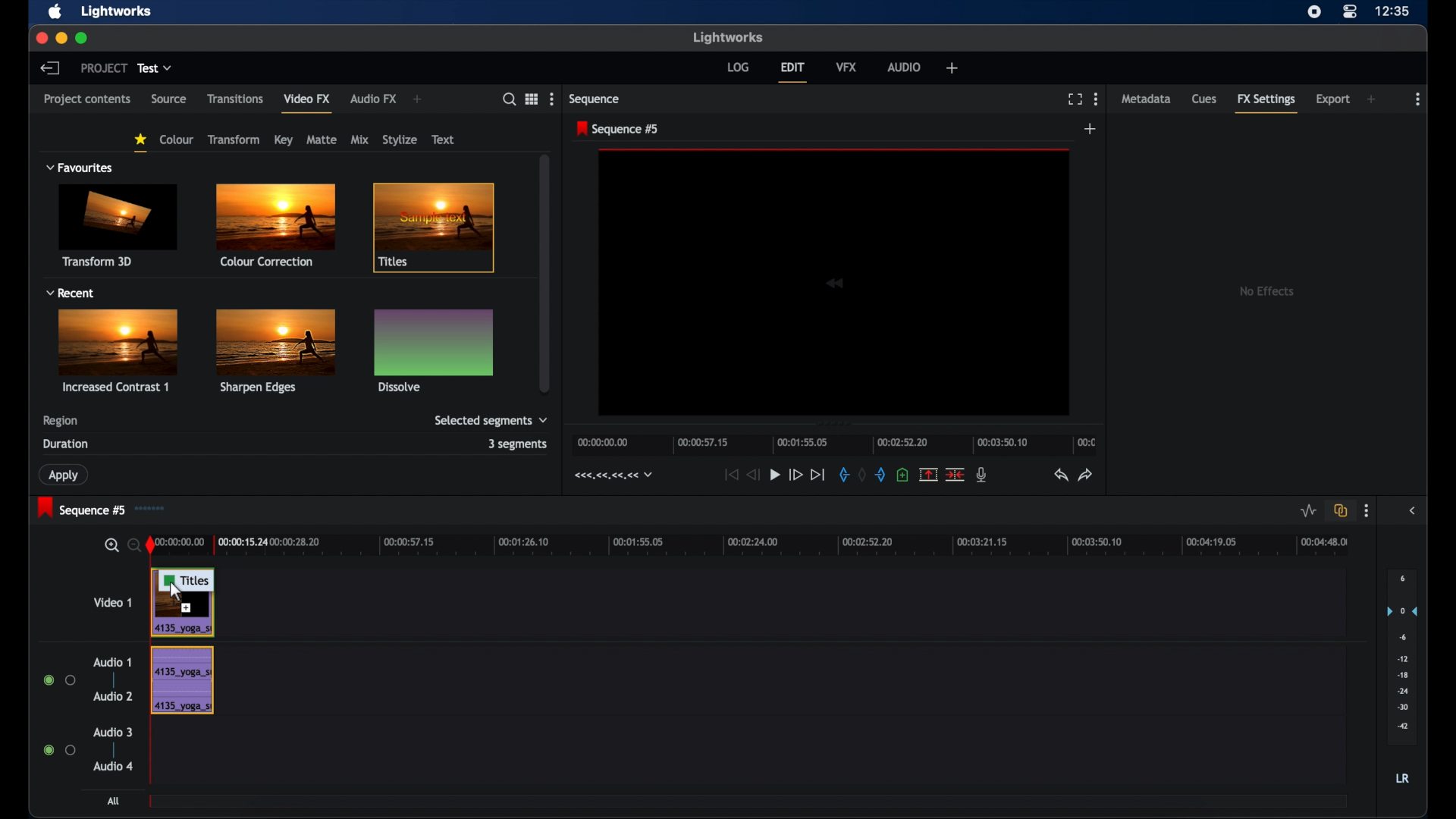 The height and width of the screenshot is (819, 1456). I want to click on fx settings, so click(1266, 105).